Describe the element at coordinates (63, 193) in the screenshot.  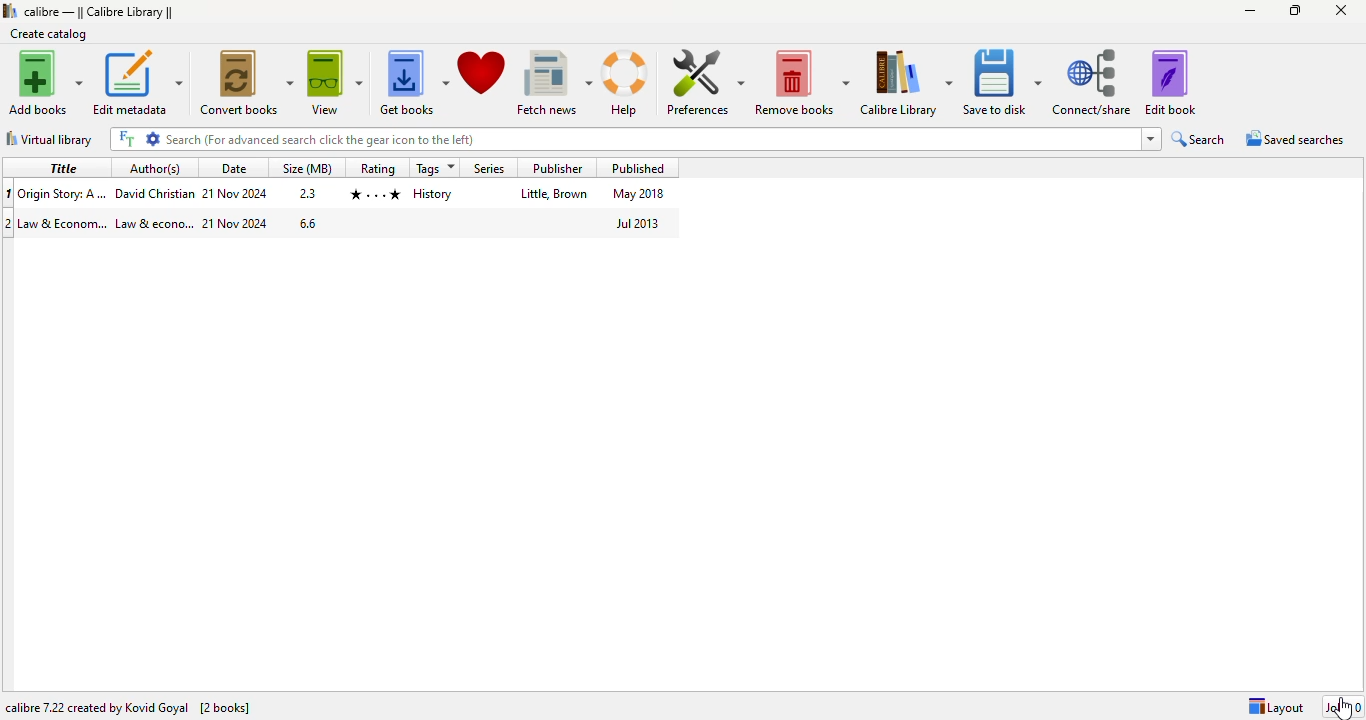
I see `title` at that location.